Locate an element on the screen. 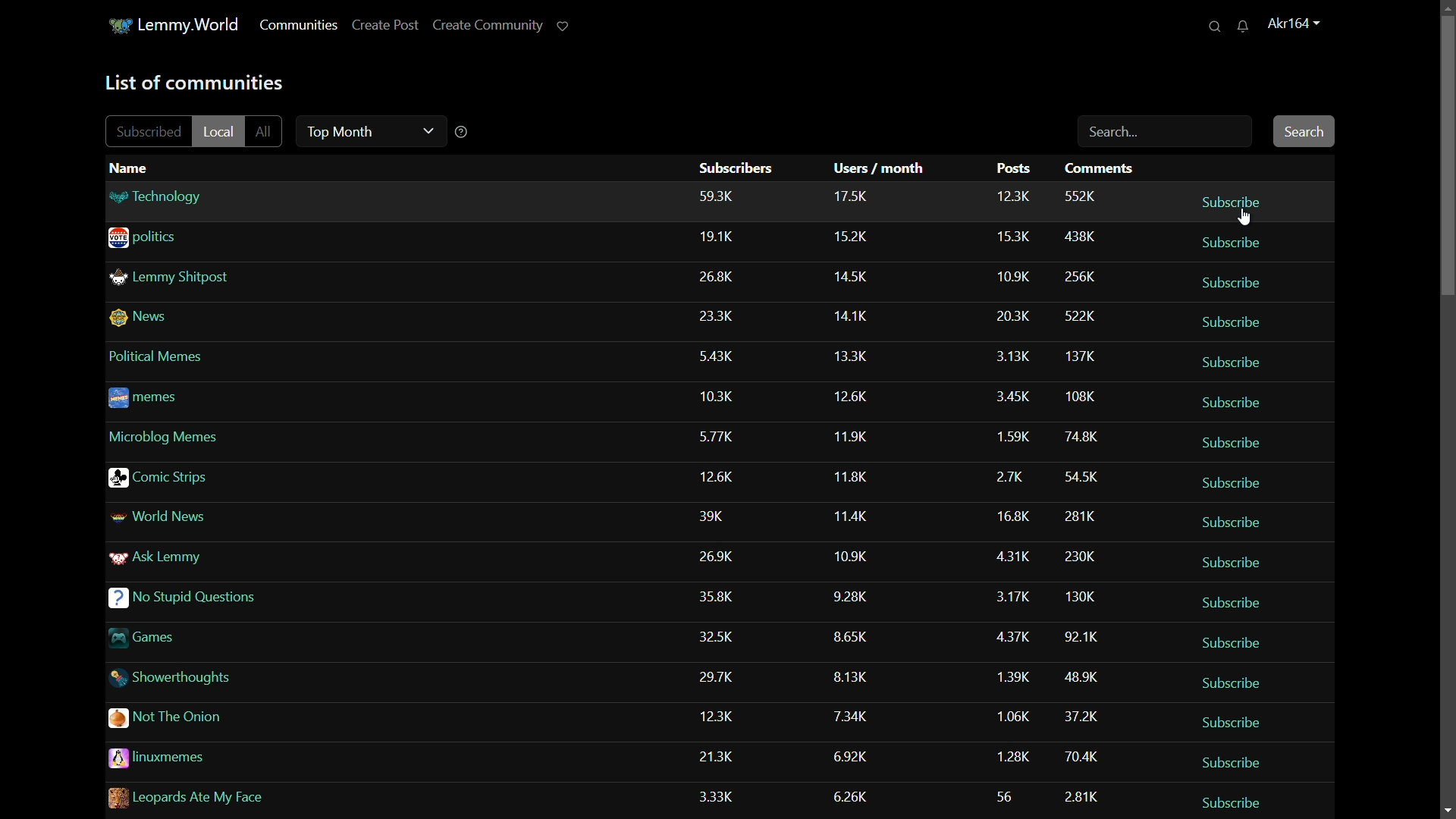  comments is located at coordinates (1081, 356).